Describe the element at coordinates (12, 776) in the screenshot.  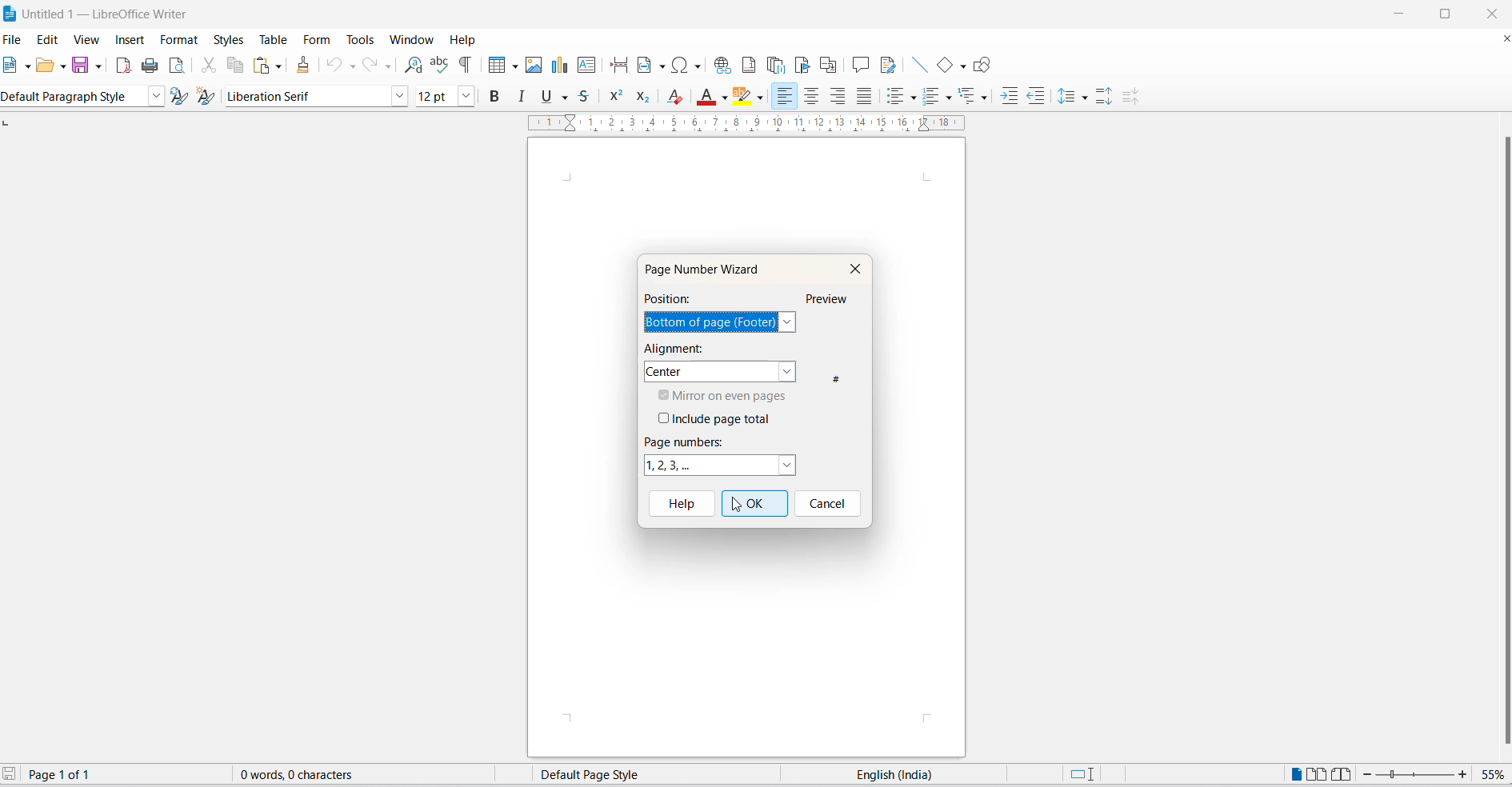
I see `save` at that location.